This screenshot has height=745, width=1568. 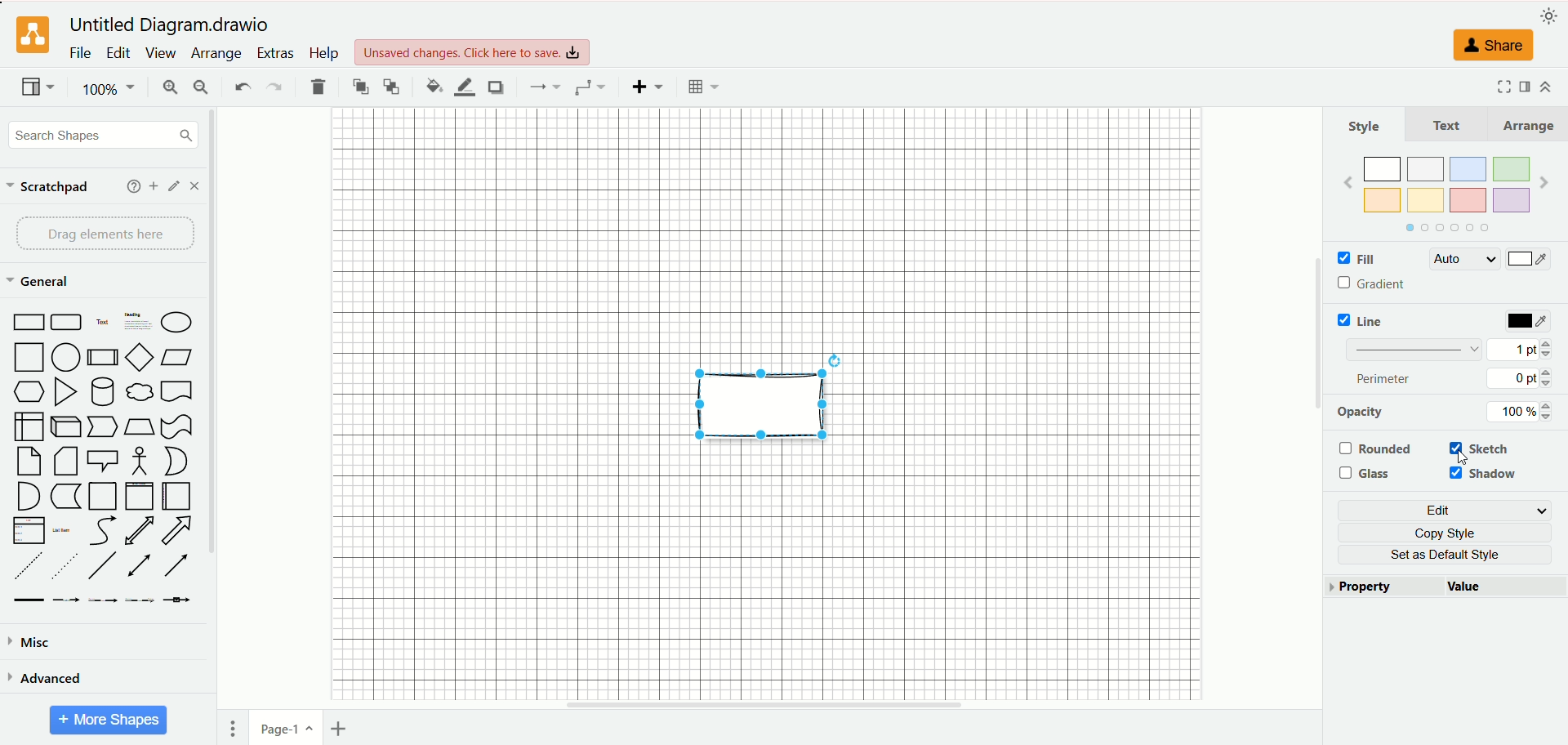 I want to click on vertical scroll bar, so click(x=216, y=409).